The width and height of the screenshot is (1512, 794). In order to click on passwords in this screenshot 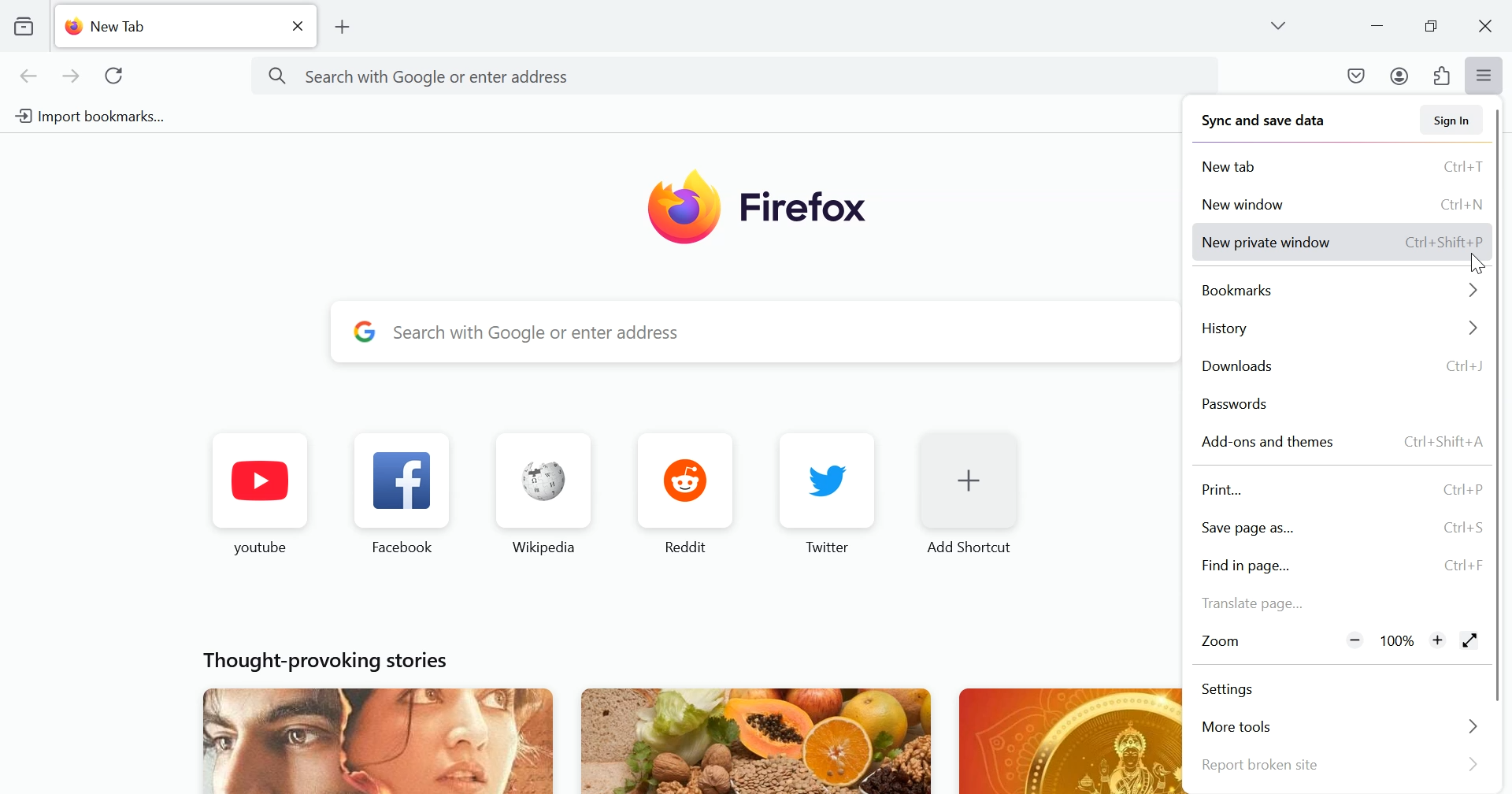, I will do `click(1343, 406)`.